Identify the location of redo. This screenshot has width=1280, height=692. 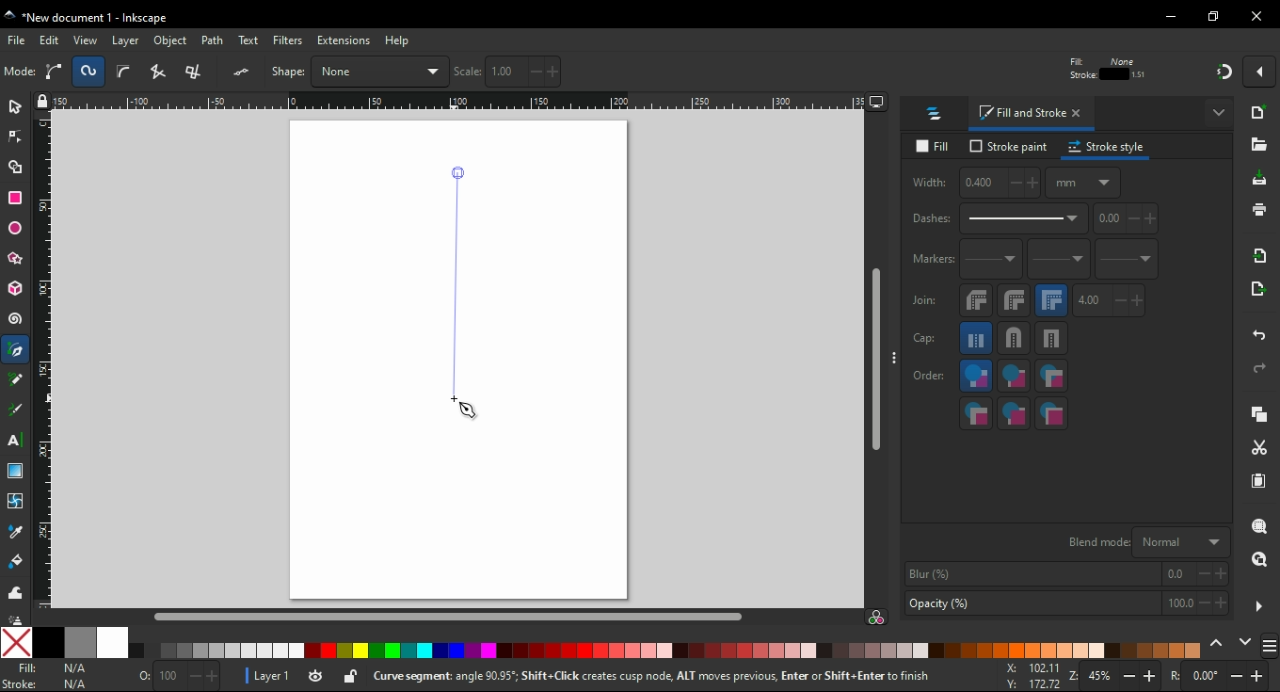
(1258, 368).